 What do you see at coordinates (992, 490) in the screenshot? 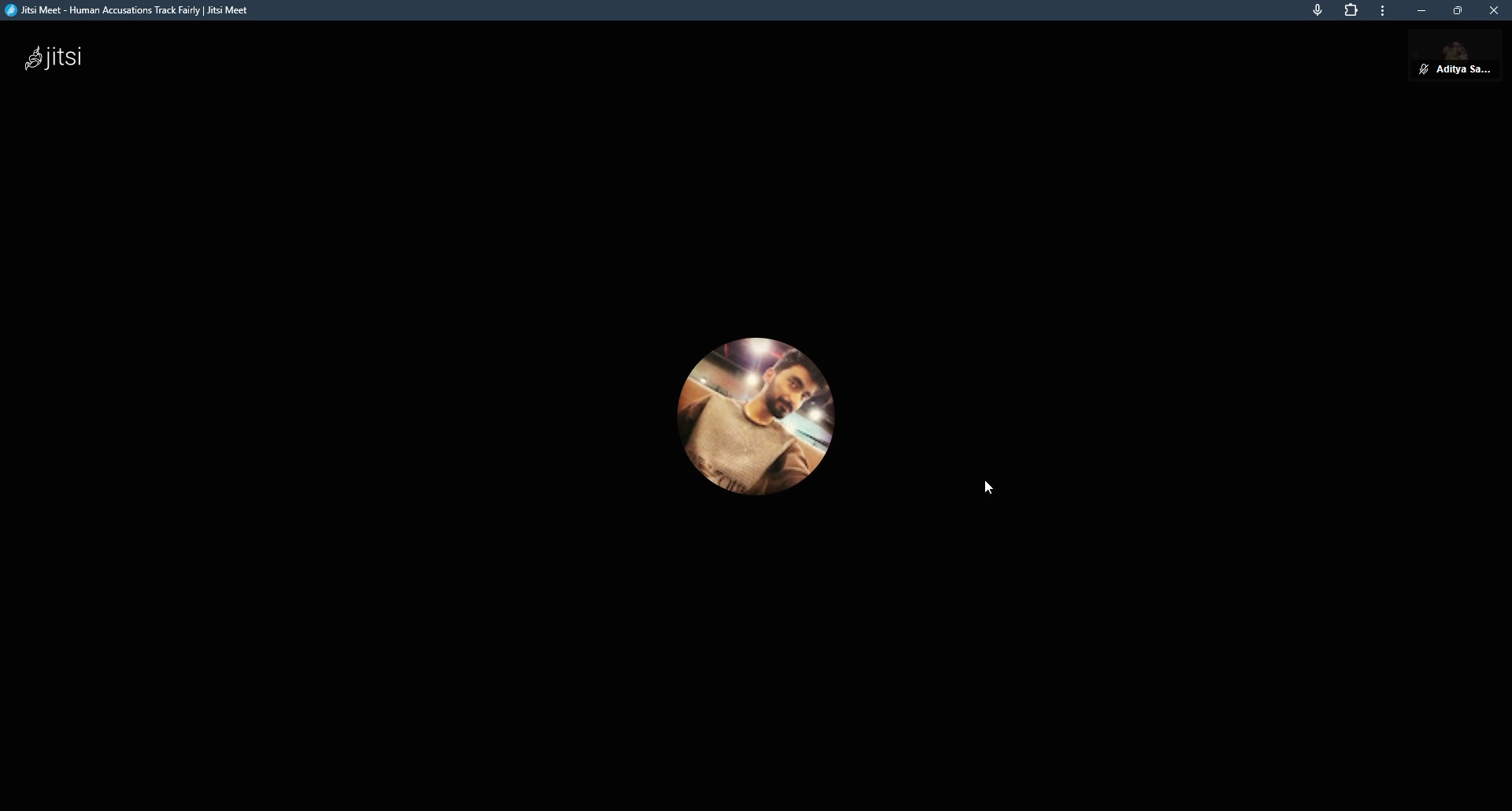
I see `cursor` at bounding box center [992, 490].